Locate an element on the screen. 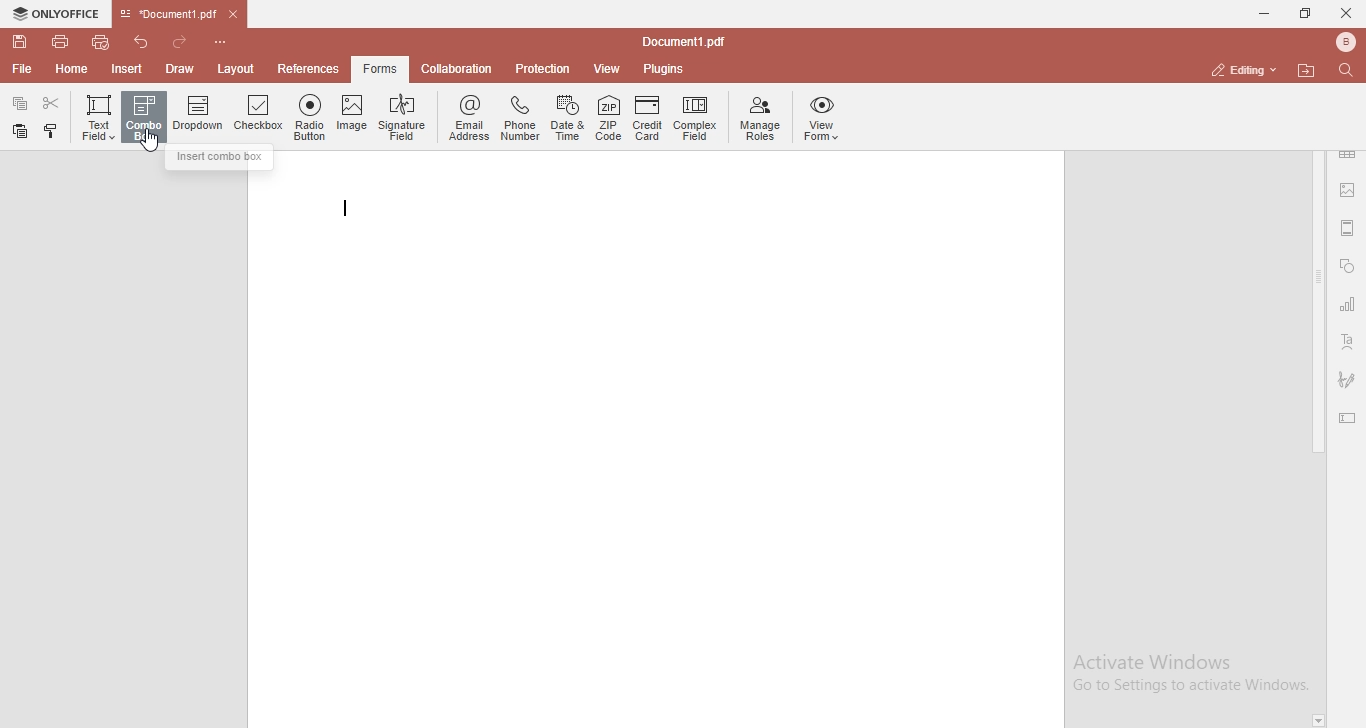 This screenshot has width=1366, height=728. redo is located at coordinates (184, 38).